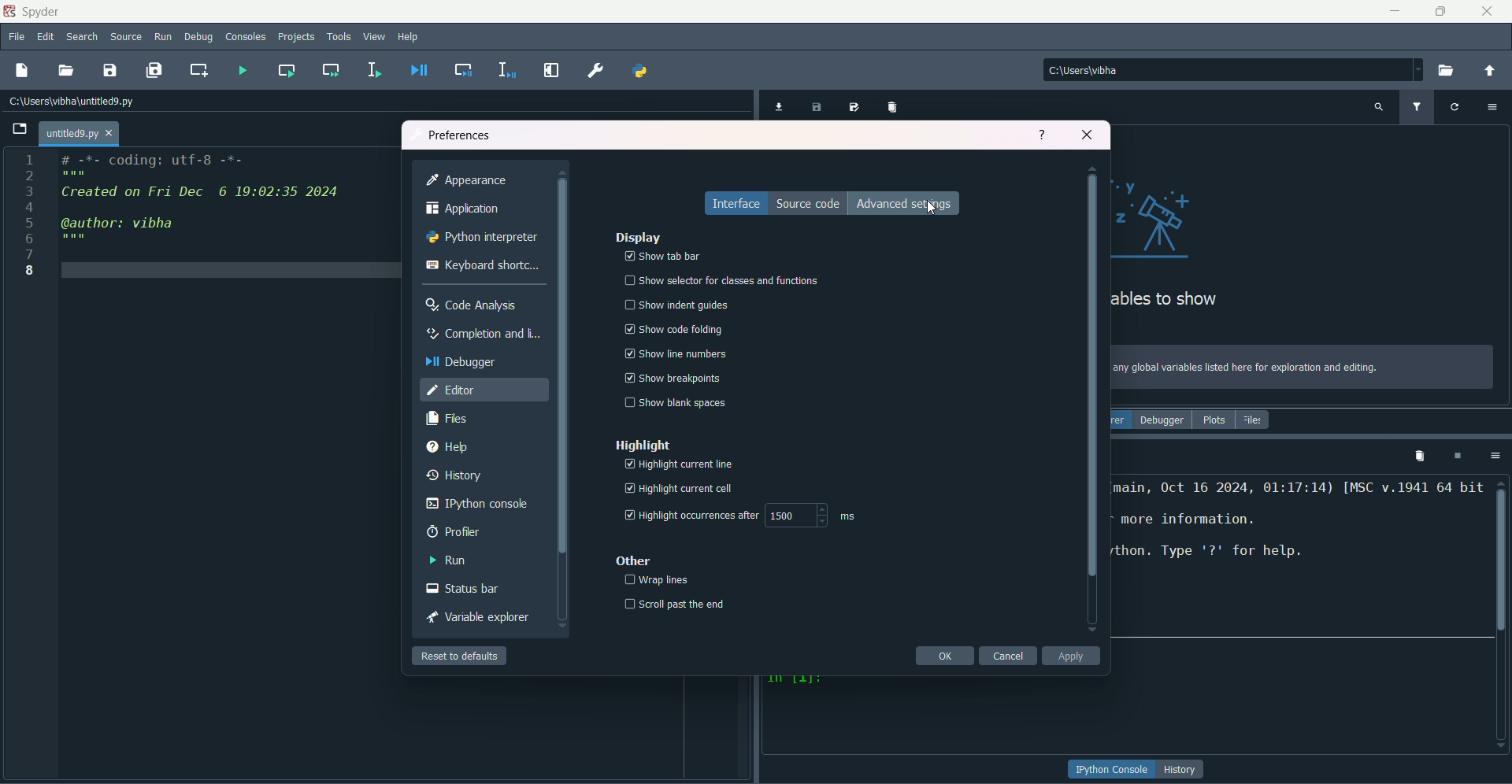 This screenshot has height=784, width=1512. Describe the element at coordinates (46, 38) in the screenshot. I see `edit` at that location.